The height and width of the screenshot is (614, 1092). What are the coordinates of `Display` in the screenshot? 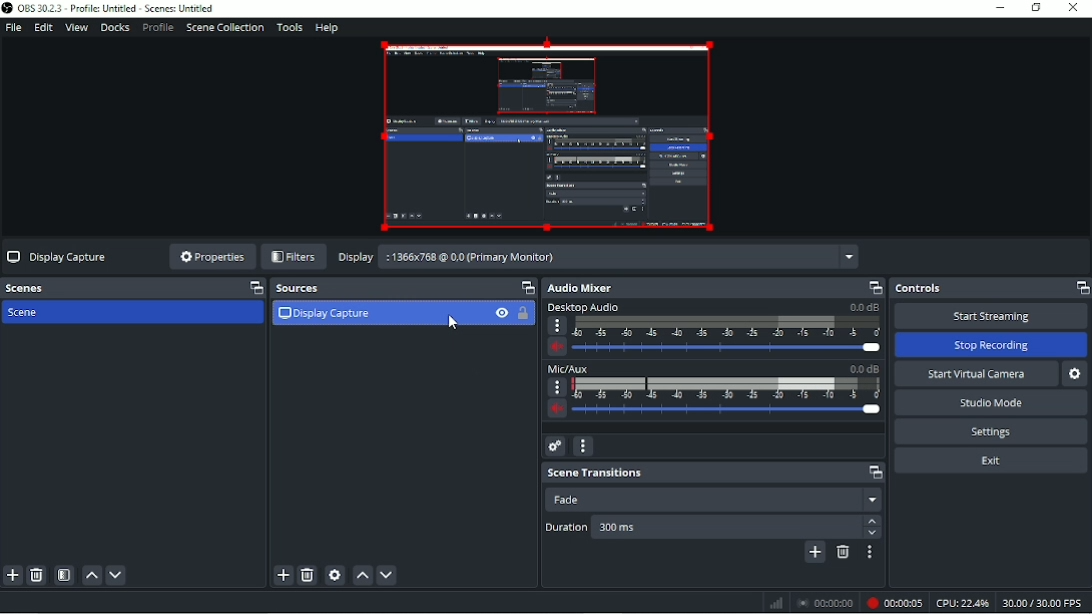 It's located at (353, 260).